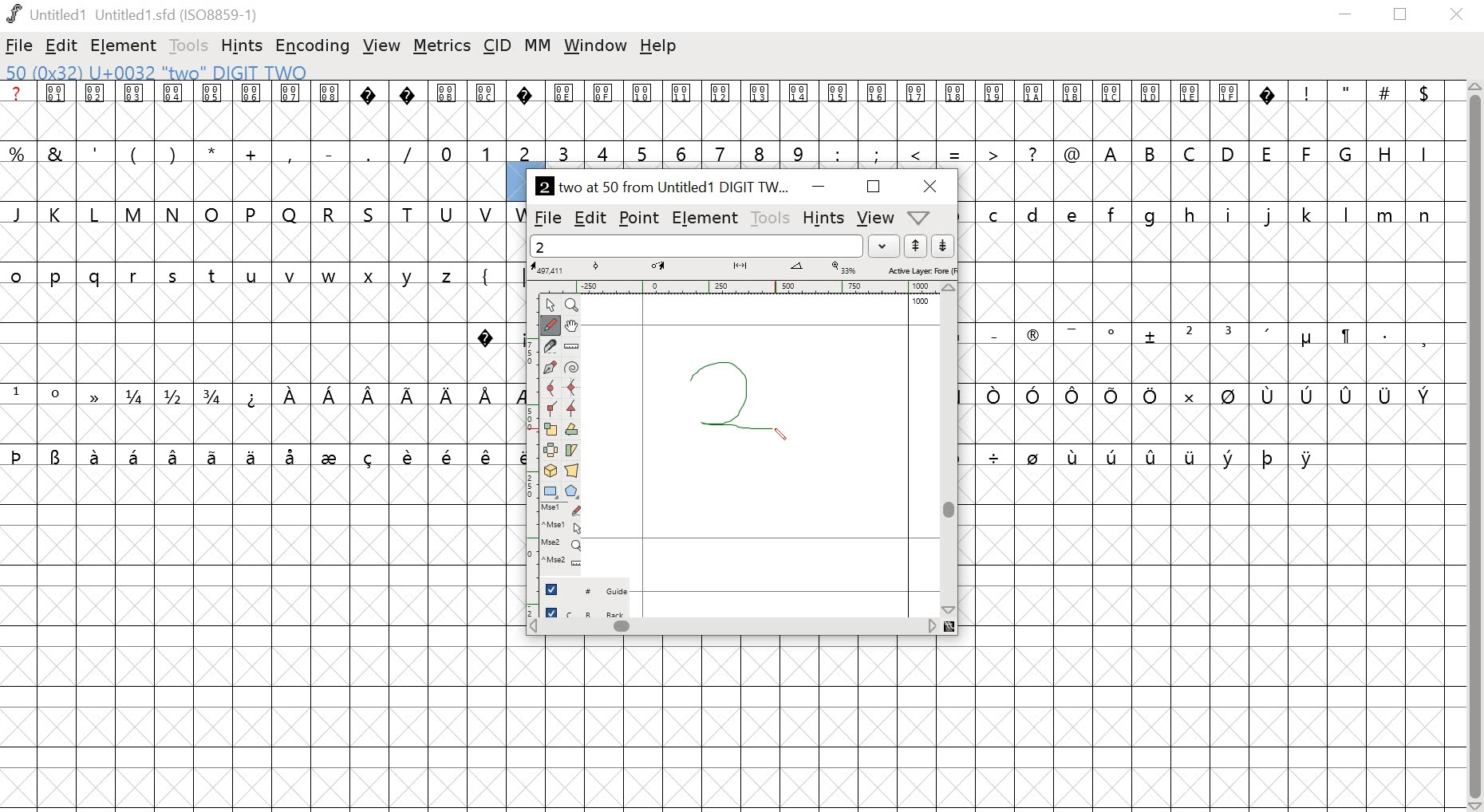 The height and width of the screenshot is (812, 1484). What do you see at coordinates (742, 288) in the screenshot?
I see `ruler` at bounding box center [742, 288].